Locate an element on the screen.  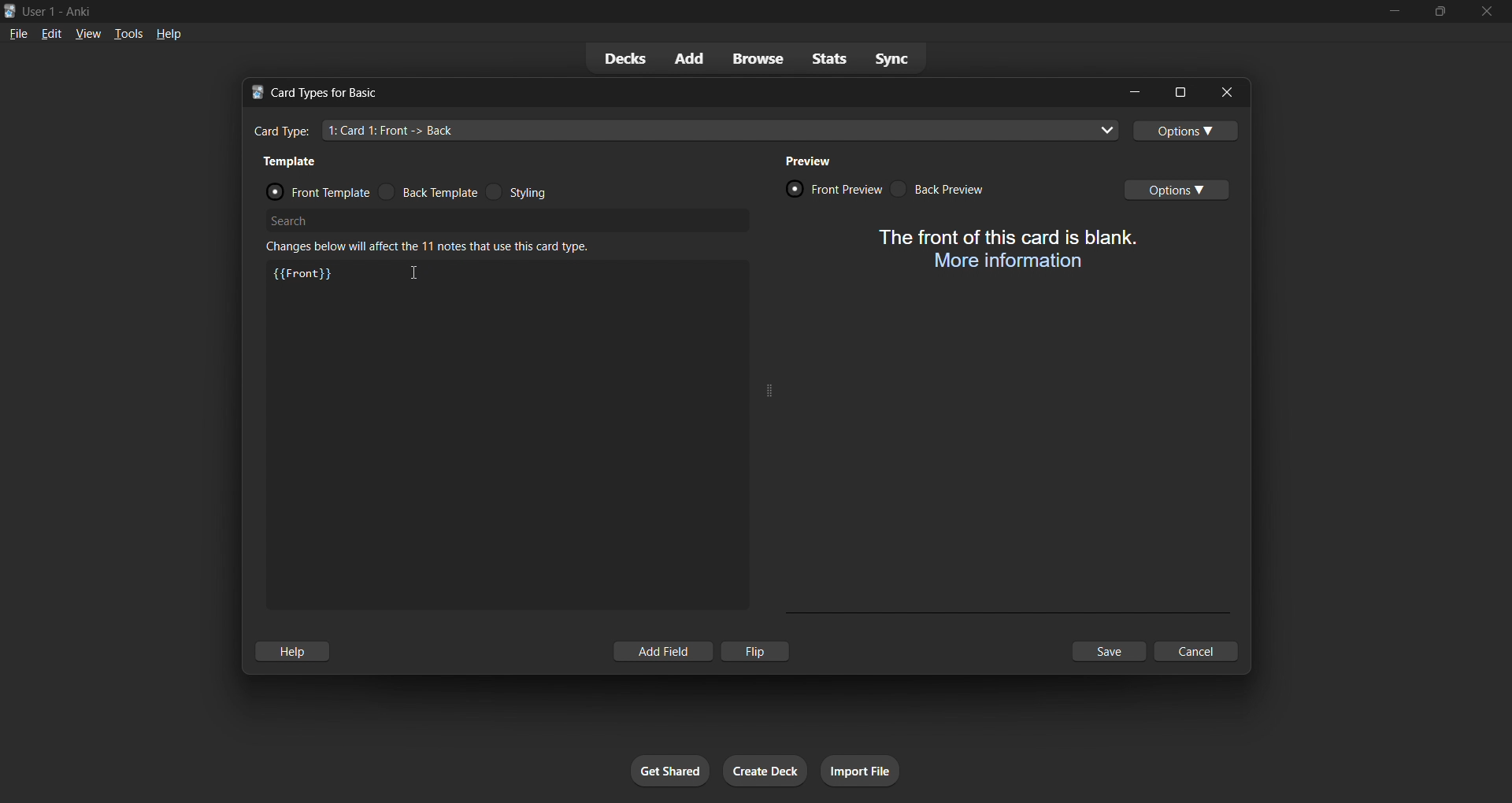
back template is located at coordinates (431, 191).